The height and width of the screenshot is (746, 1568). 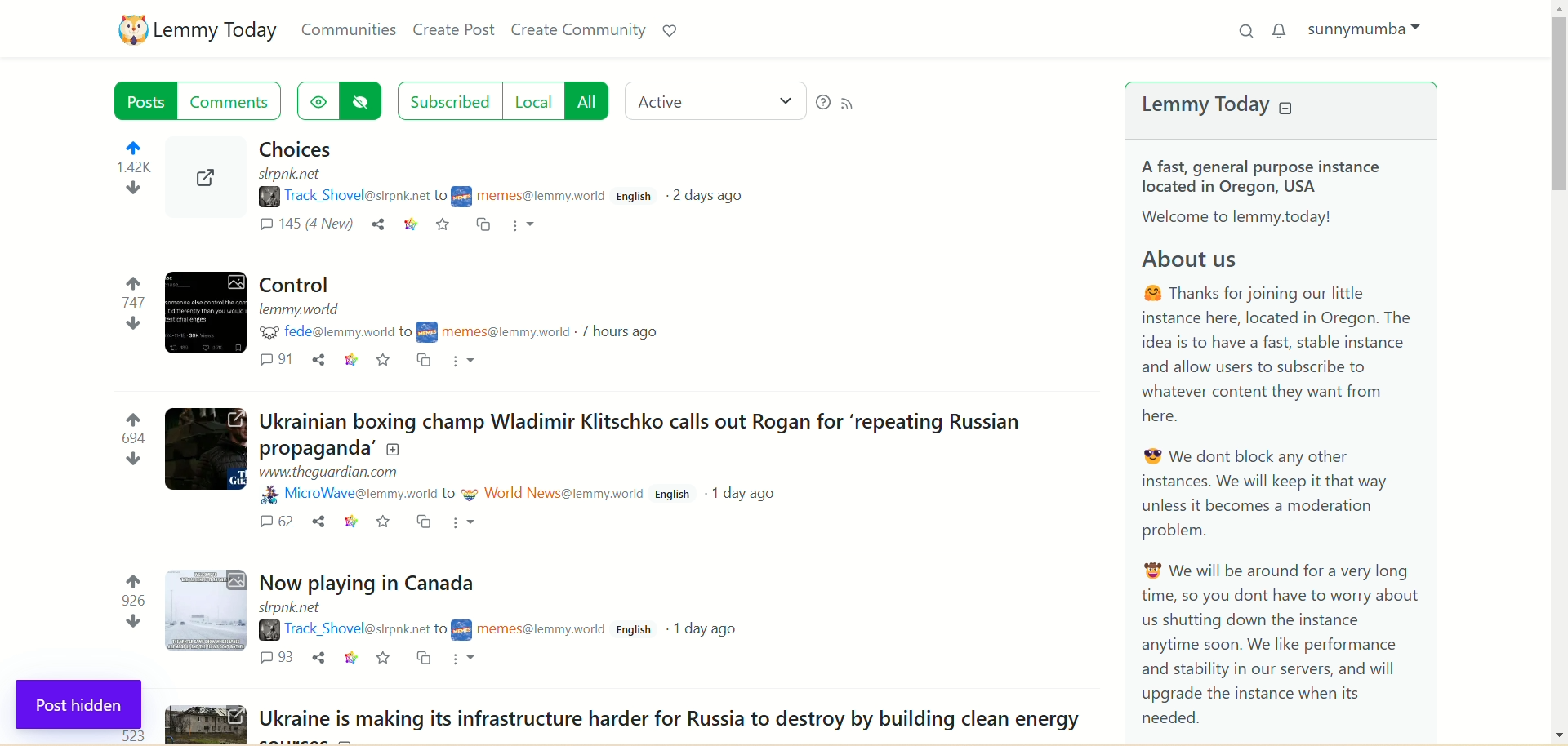 What do you see at coordinates (145, 100) in the screenshot?
I see `posts` at bounding box center [145, 100].